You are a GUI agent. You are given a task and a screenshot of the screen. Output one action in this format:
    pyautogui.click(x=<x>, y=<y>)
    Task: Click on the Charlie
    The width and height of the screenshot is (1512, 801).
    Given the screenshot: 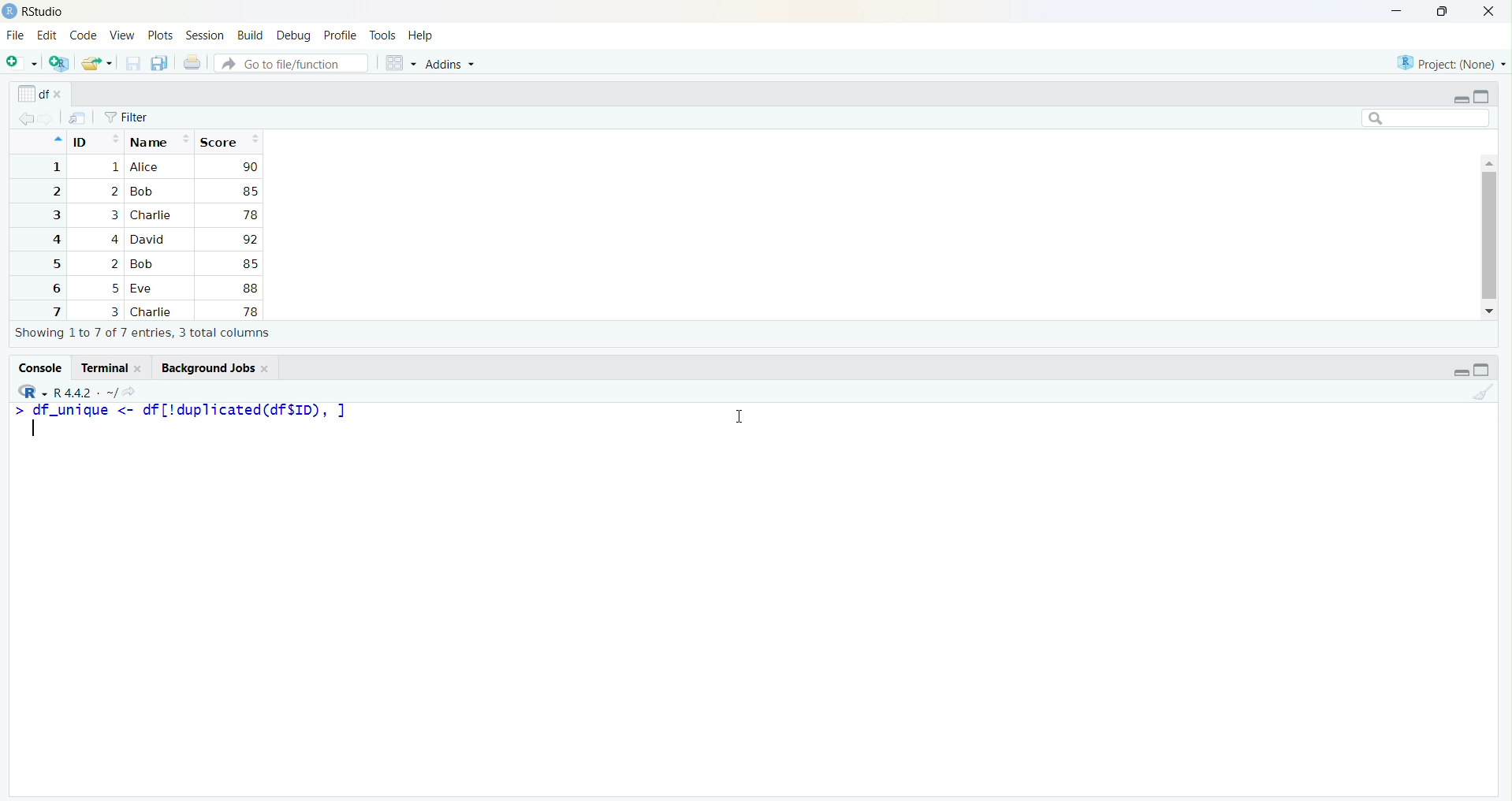 What is the action you would take?
    pyautogui.click(x=152, y=215)
    